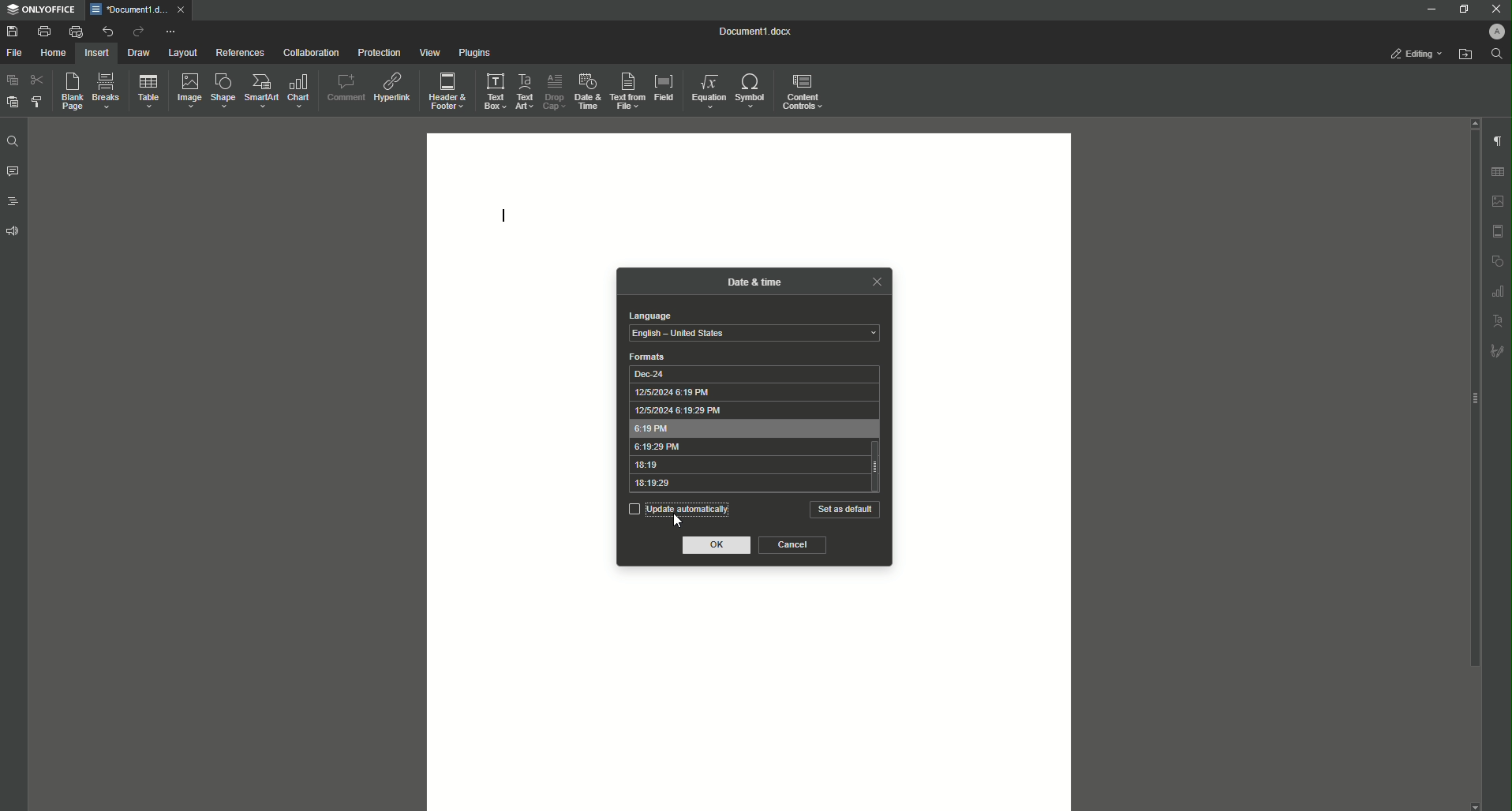 The image size is (1512, 811). Describe the element at coordinates (1499, 201) in the screenshot. I see `image settings` at that location.